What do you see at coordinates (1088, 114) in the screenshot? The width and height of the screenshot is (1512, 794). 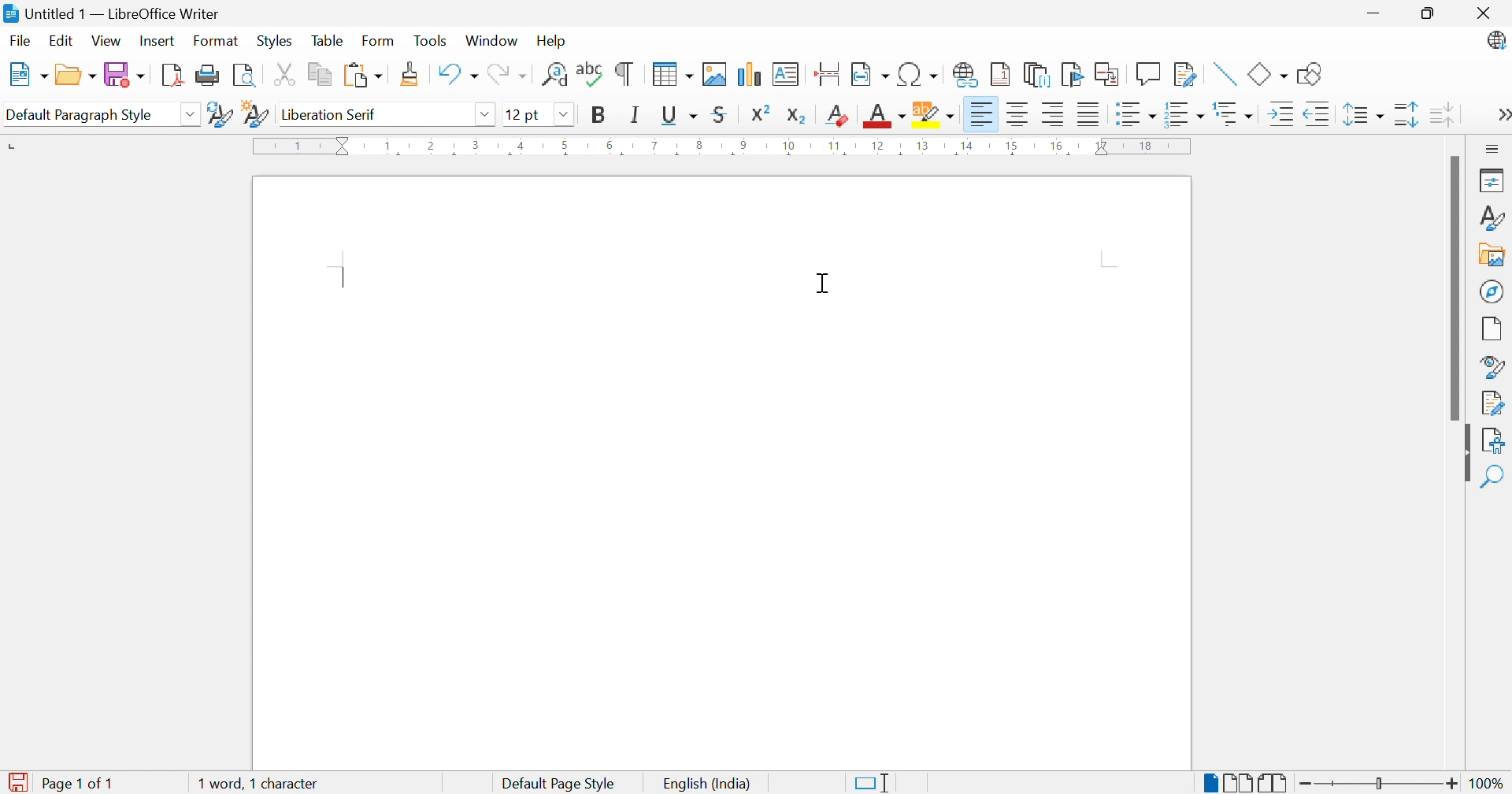 I see `Justified` at bounding box center [1088, 114].